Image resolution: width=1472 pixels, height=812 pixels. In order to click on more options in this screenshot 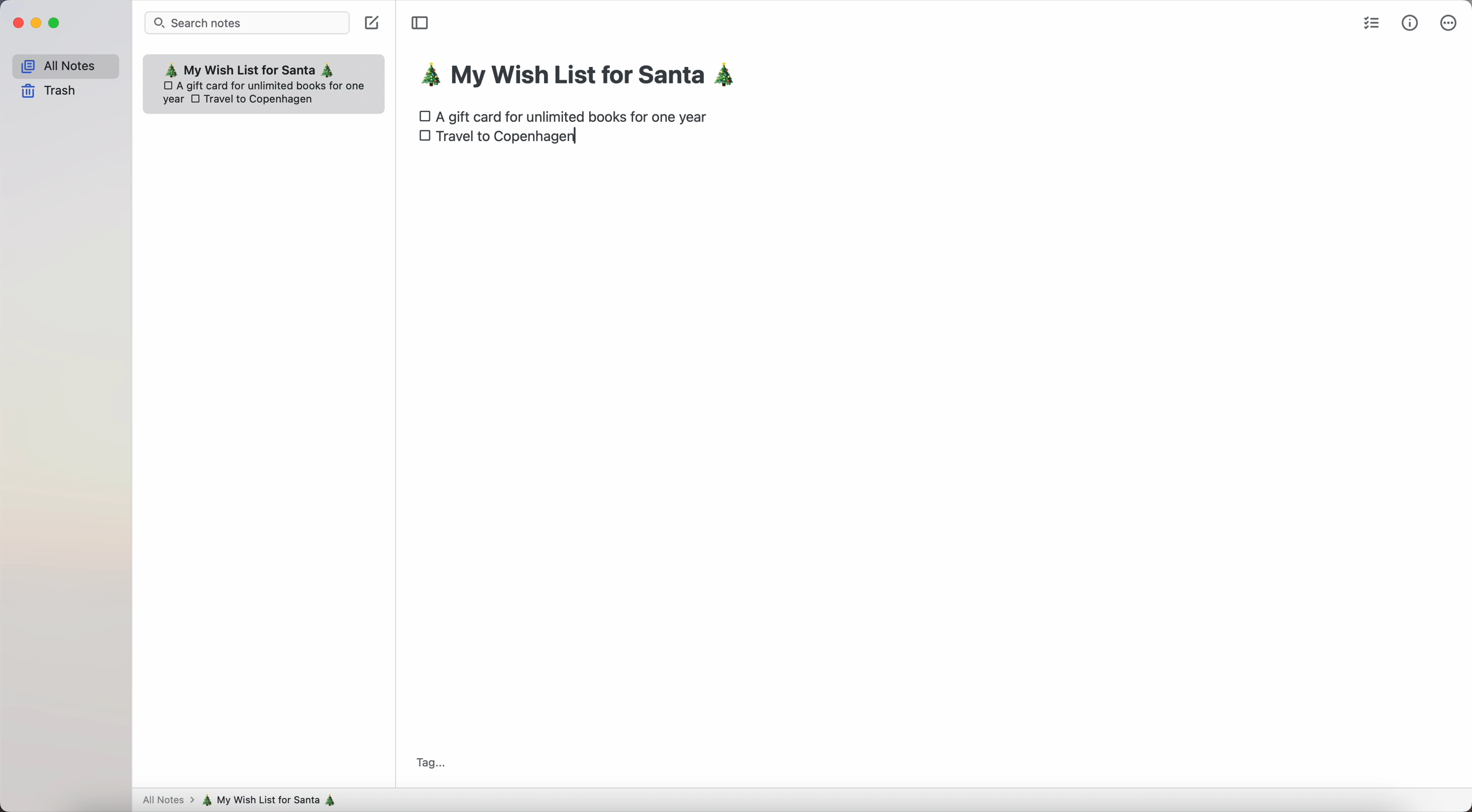, I will do `click(1448, 22)`.